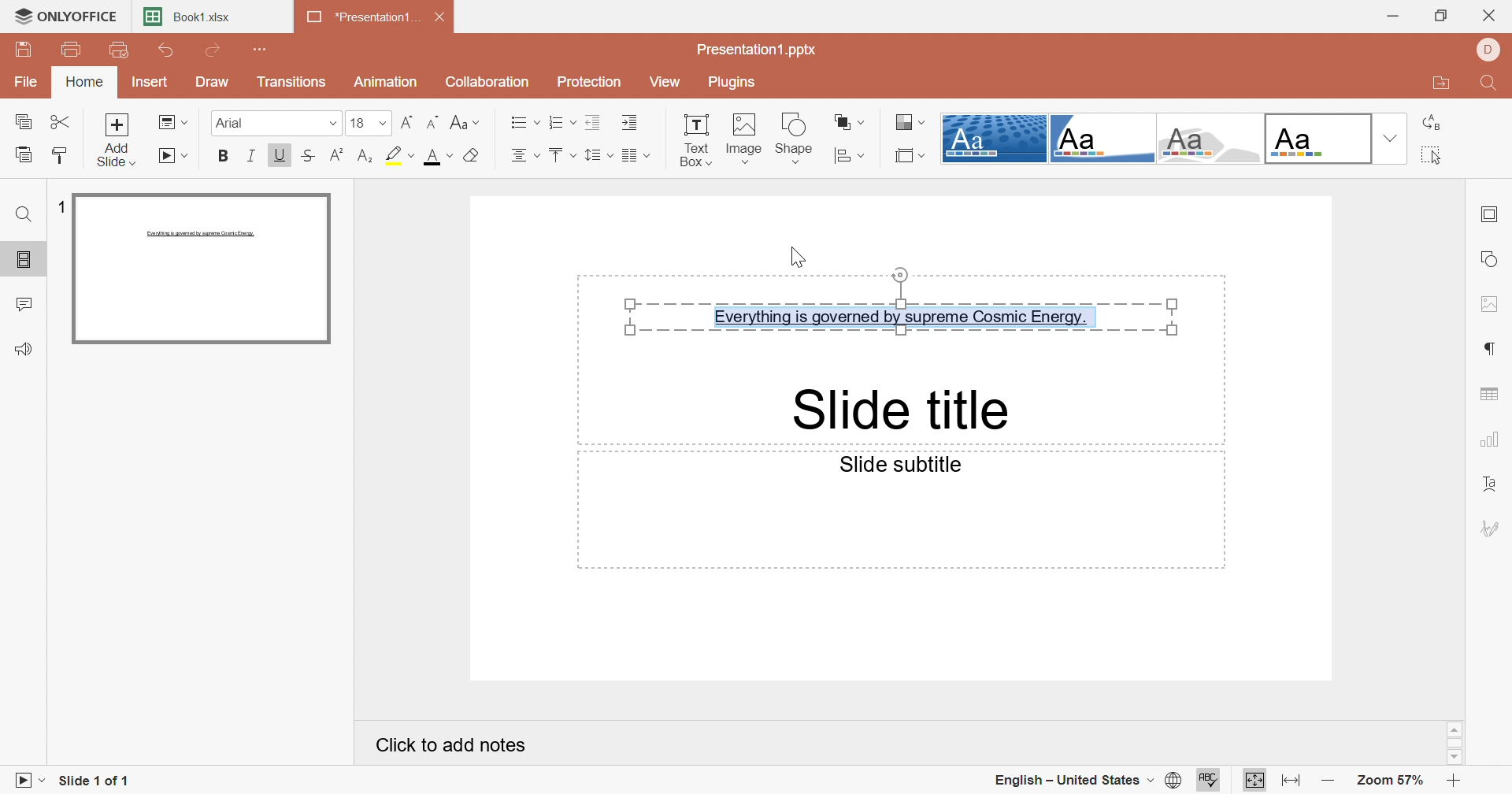 The height and width of the screenshot is (794, 1512). What do you see at coordinates (69, 17) in the screenshot?
I see `ONLYOFFICE` at bounding box center [69, 17].